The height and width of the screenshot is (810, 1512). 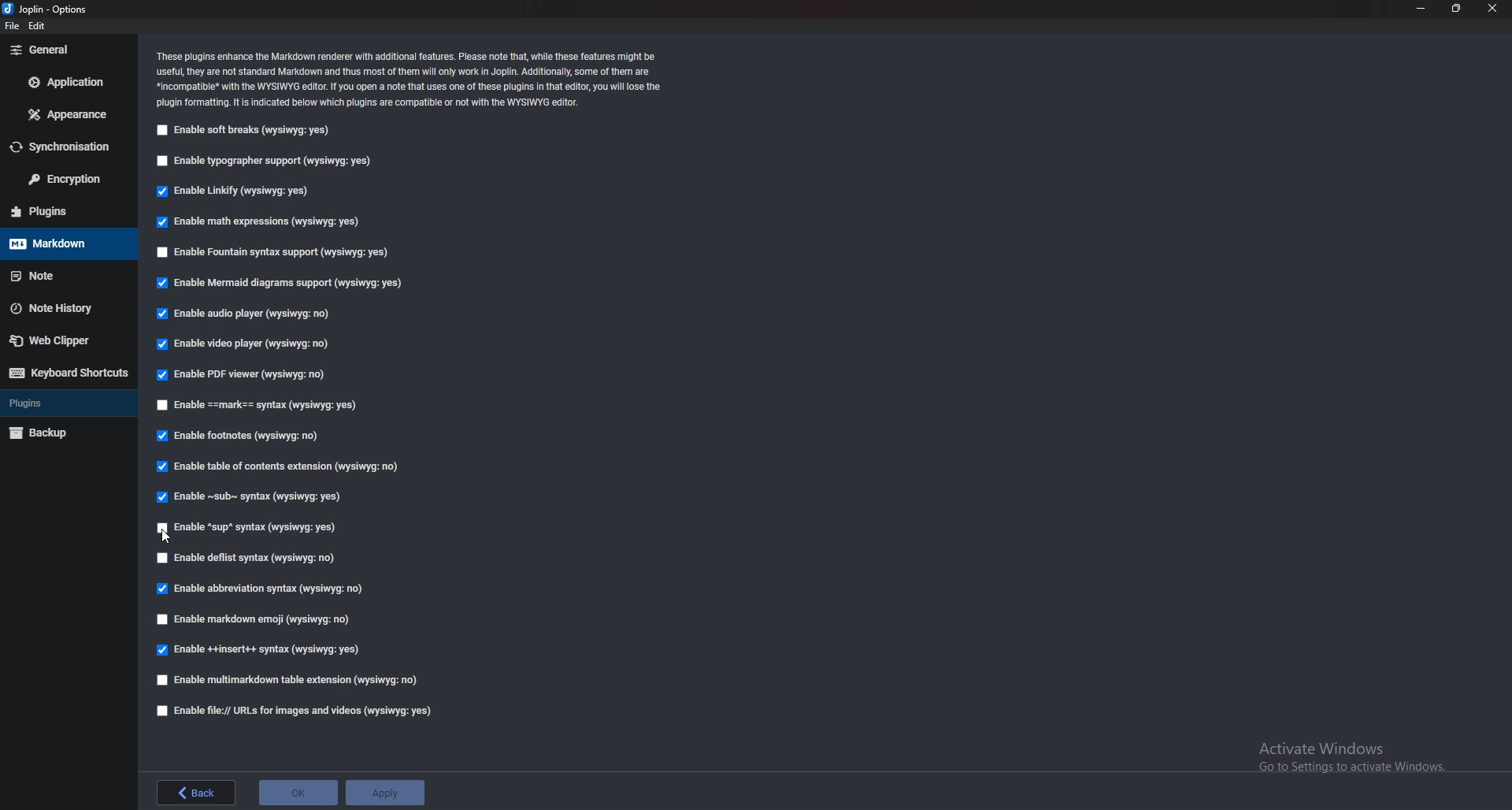 I want to click on Enable sub syntax, so click(x=250, y=496).